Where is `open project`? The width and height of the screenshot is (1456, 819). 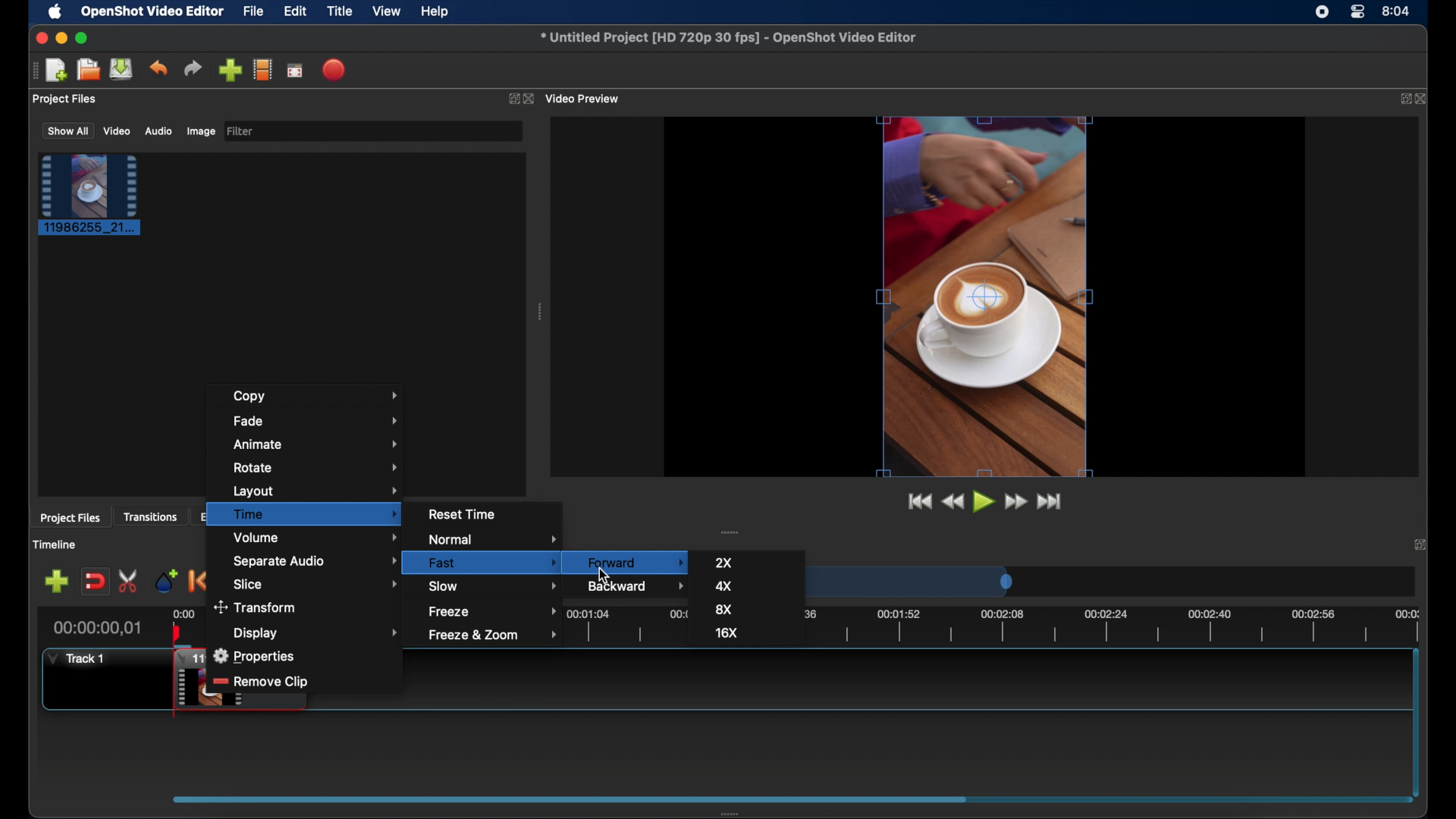
open project is located at coordinates (88, 70).